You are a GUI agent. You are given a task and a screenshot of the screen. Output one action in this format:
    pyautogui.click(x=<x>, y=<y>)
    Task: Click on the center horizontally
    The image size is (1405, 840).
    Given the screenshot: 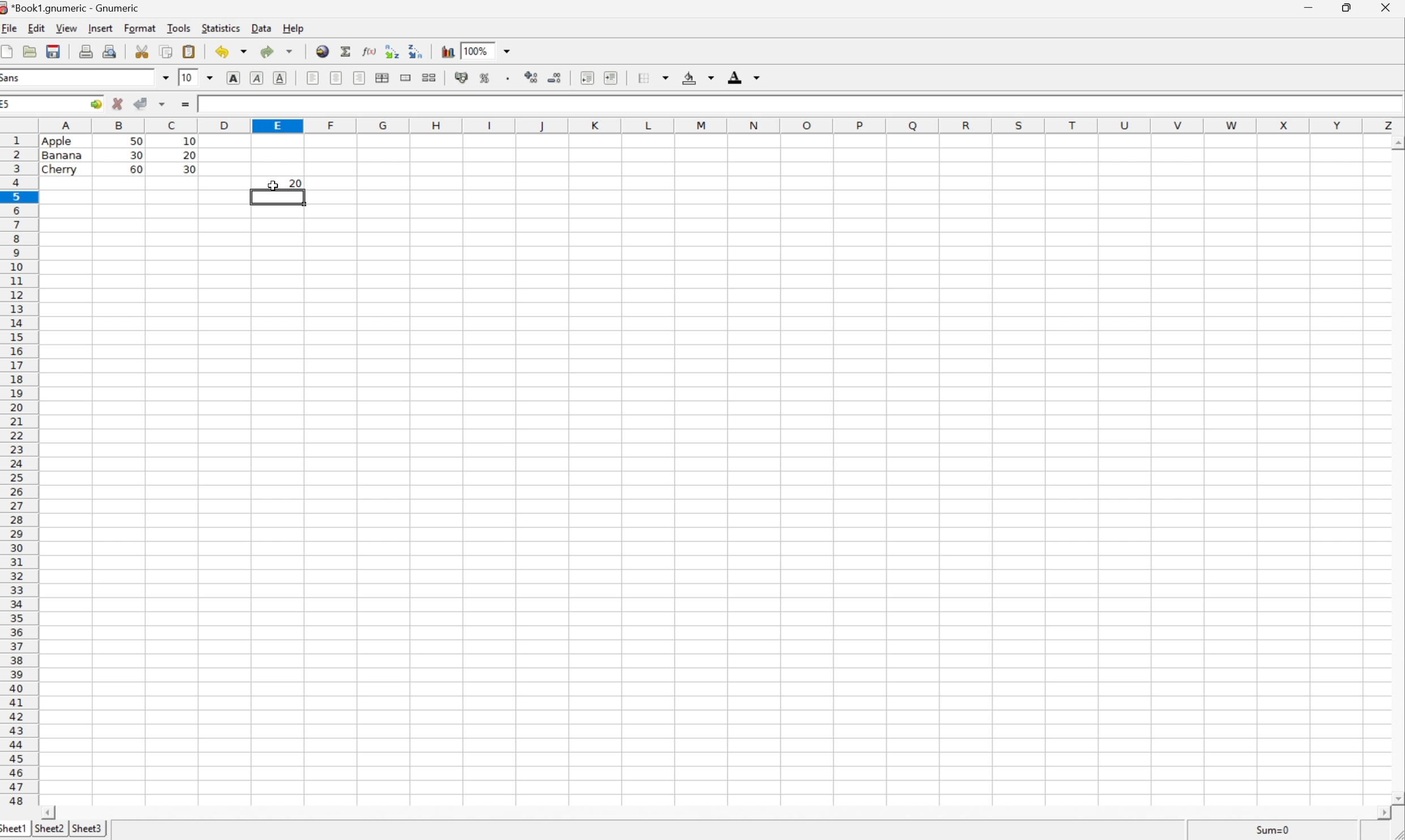 What is the action you would take?
    pyautogui.click(x=336, y=78)
    